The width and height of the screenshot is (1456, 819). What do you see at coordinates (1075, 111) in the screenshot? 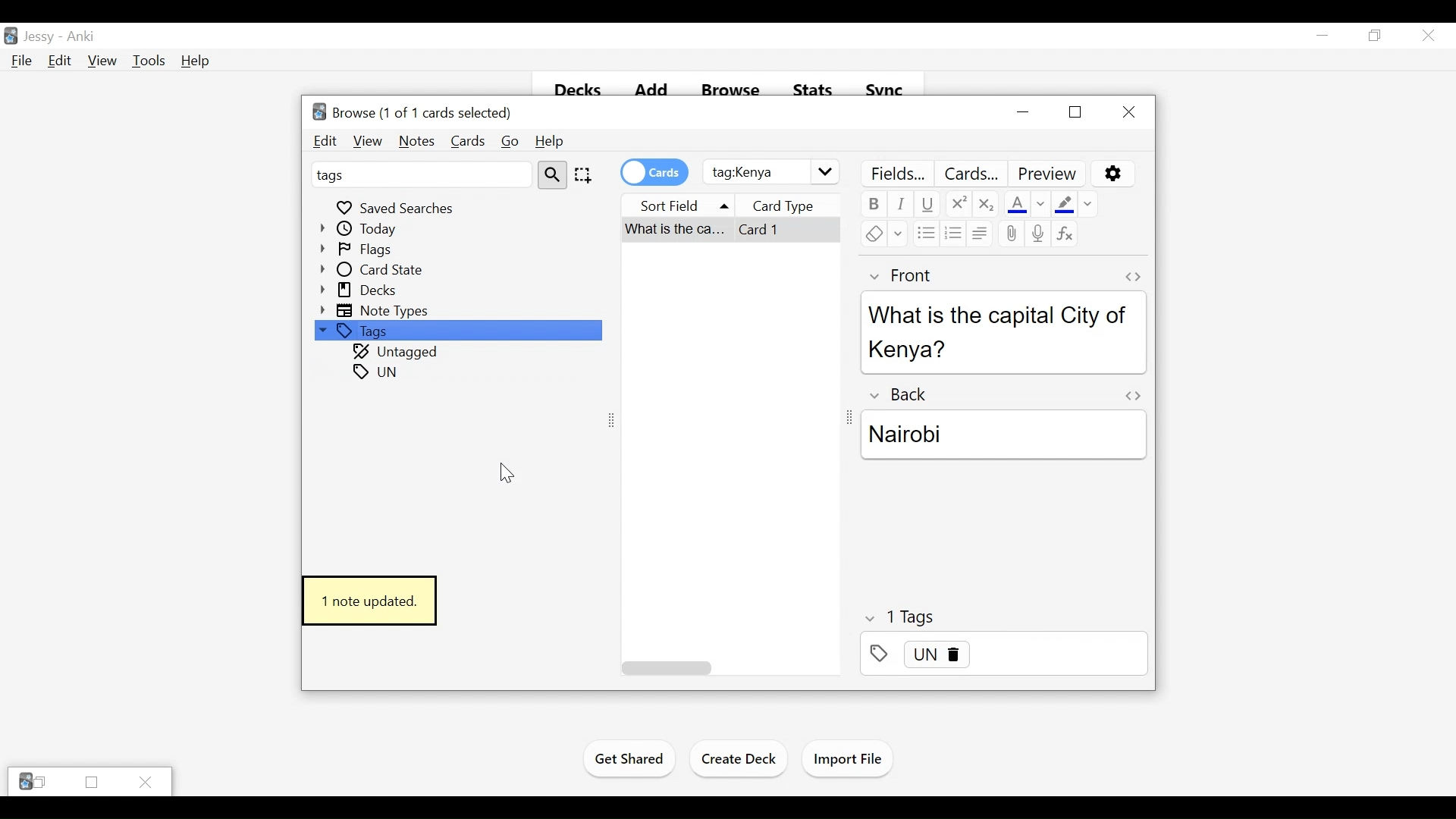
I see `Restore` at bounding box center [1075, 111].